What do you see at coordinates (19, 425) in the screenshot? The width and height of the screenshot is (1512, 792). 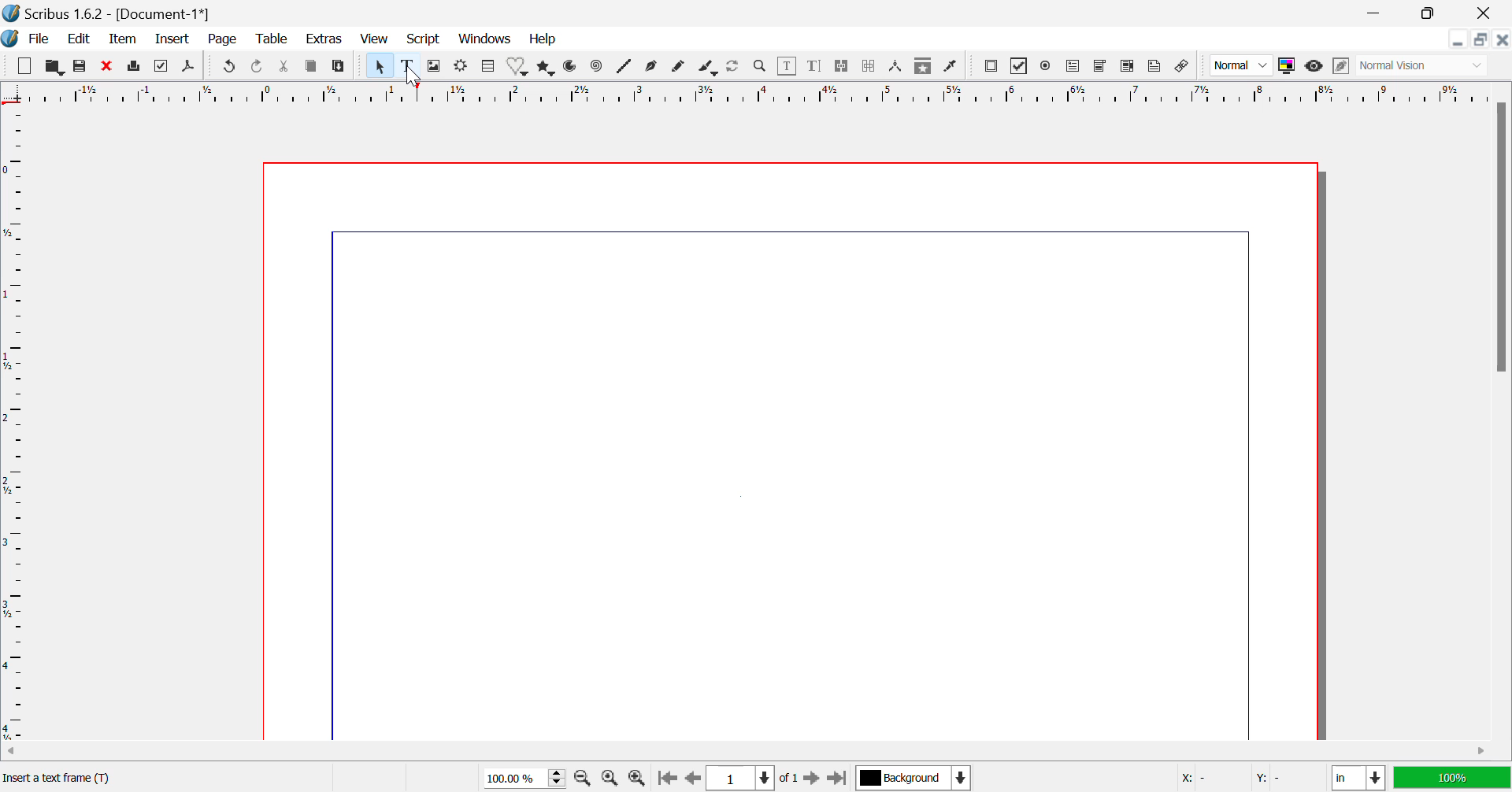 I see `Horizontal Page Margins` at bounding box center [19, 425].